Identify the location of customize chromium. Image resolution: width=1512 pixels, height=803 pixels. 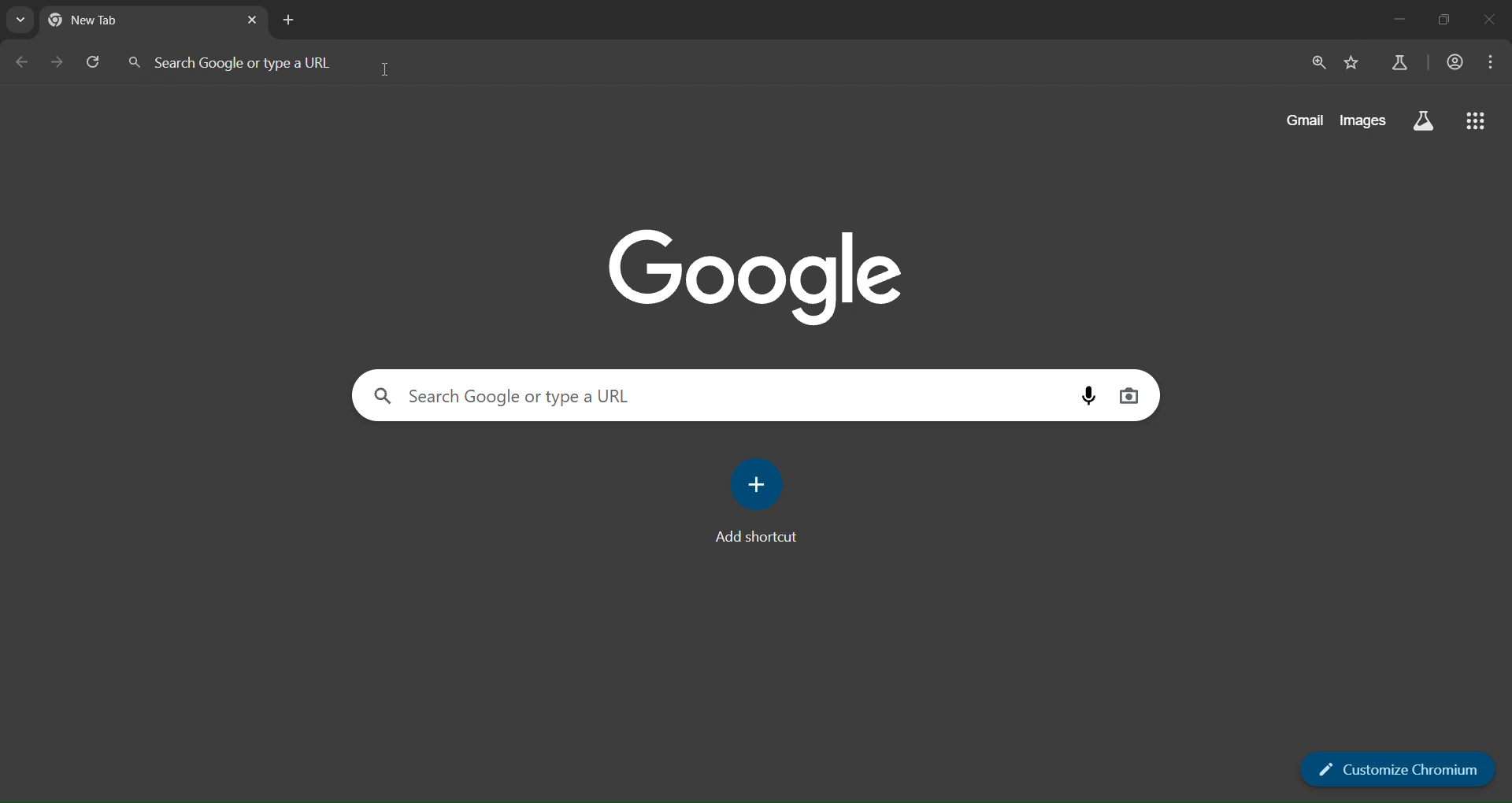
(1397, 769).